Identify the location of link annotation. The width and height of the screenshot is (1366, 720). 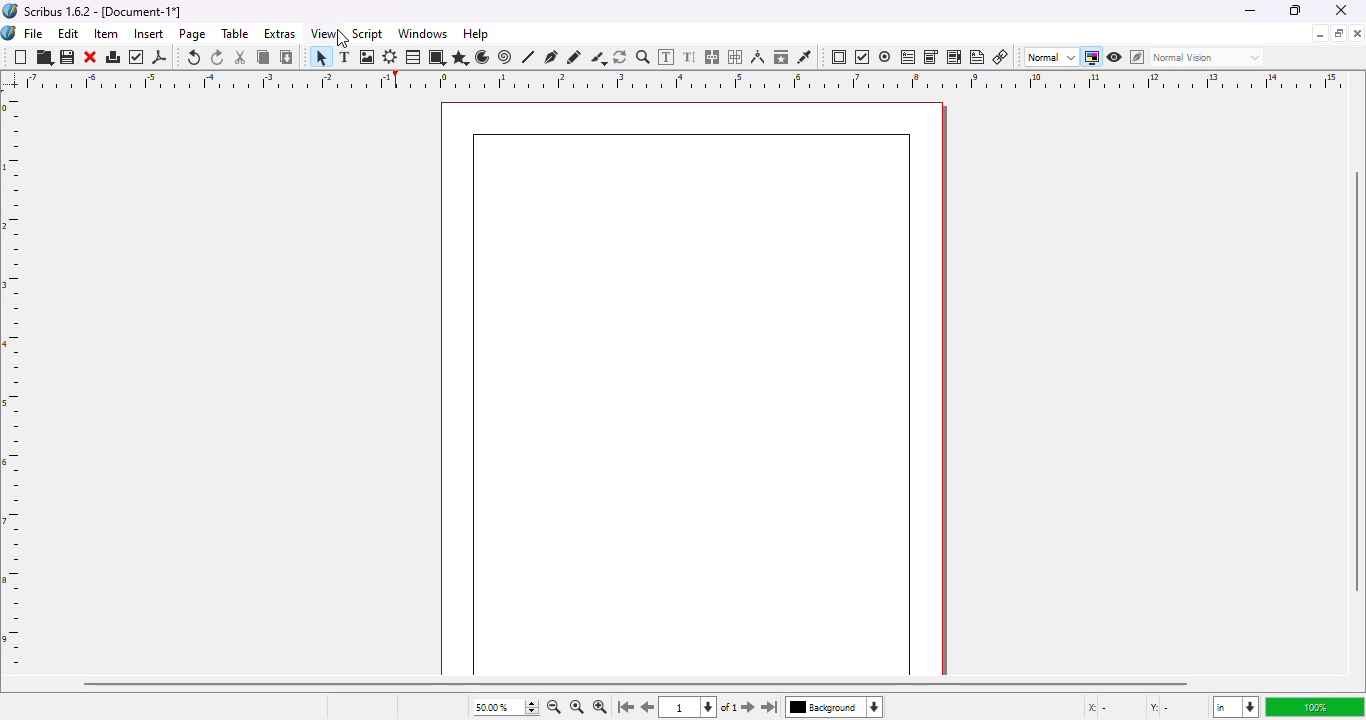
(1001, 57).